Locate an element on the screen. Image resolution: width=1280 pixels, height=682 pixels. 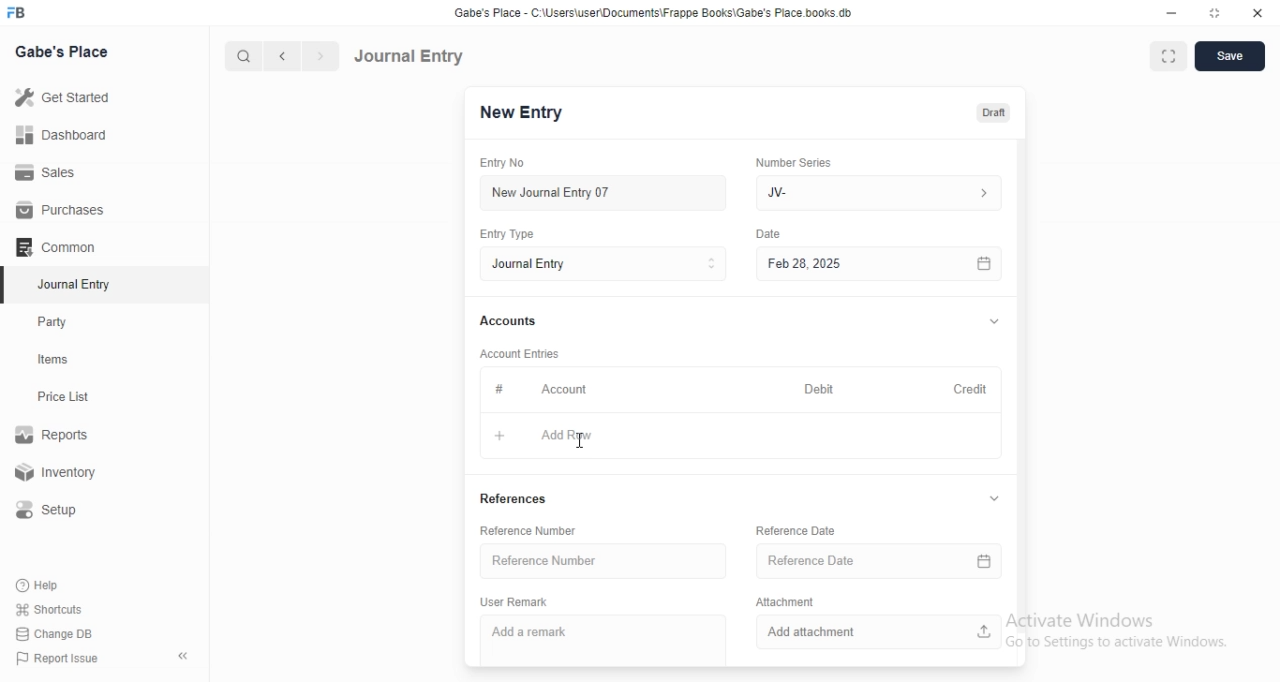
Feb 28, 2025 is located at coordinates (880, 265).